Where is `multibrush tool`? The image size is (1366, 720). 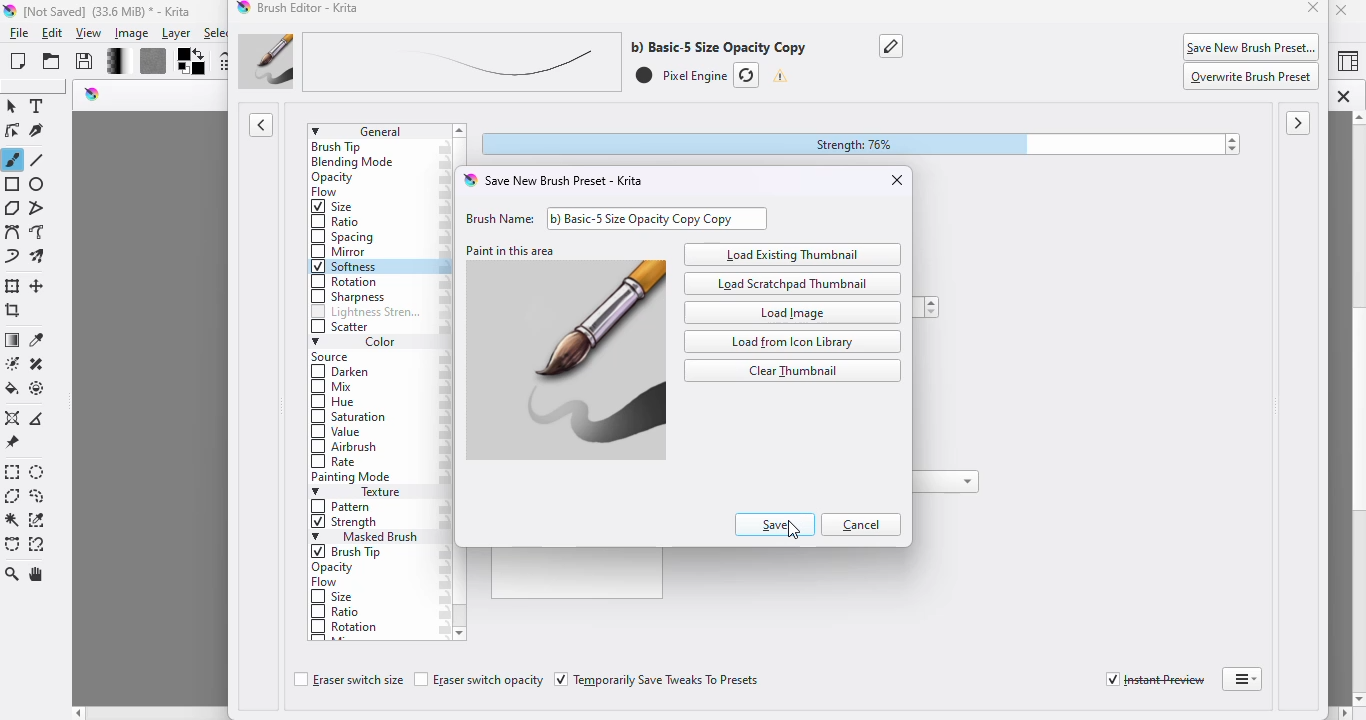 multibrush tool is located at coordinates (40, 257).